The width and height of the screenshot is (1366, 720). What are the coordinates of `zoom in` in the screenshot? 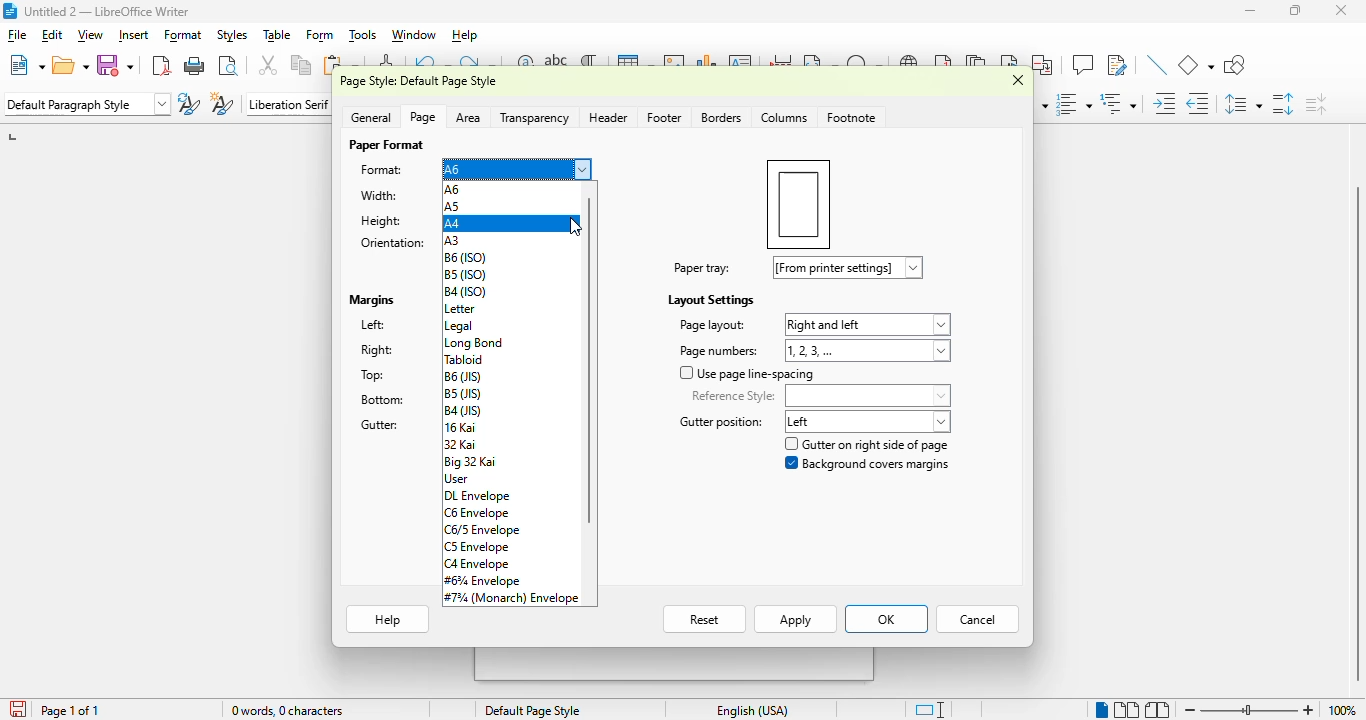 It's located at (1309, 710).